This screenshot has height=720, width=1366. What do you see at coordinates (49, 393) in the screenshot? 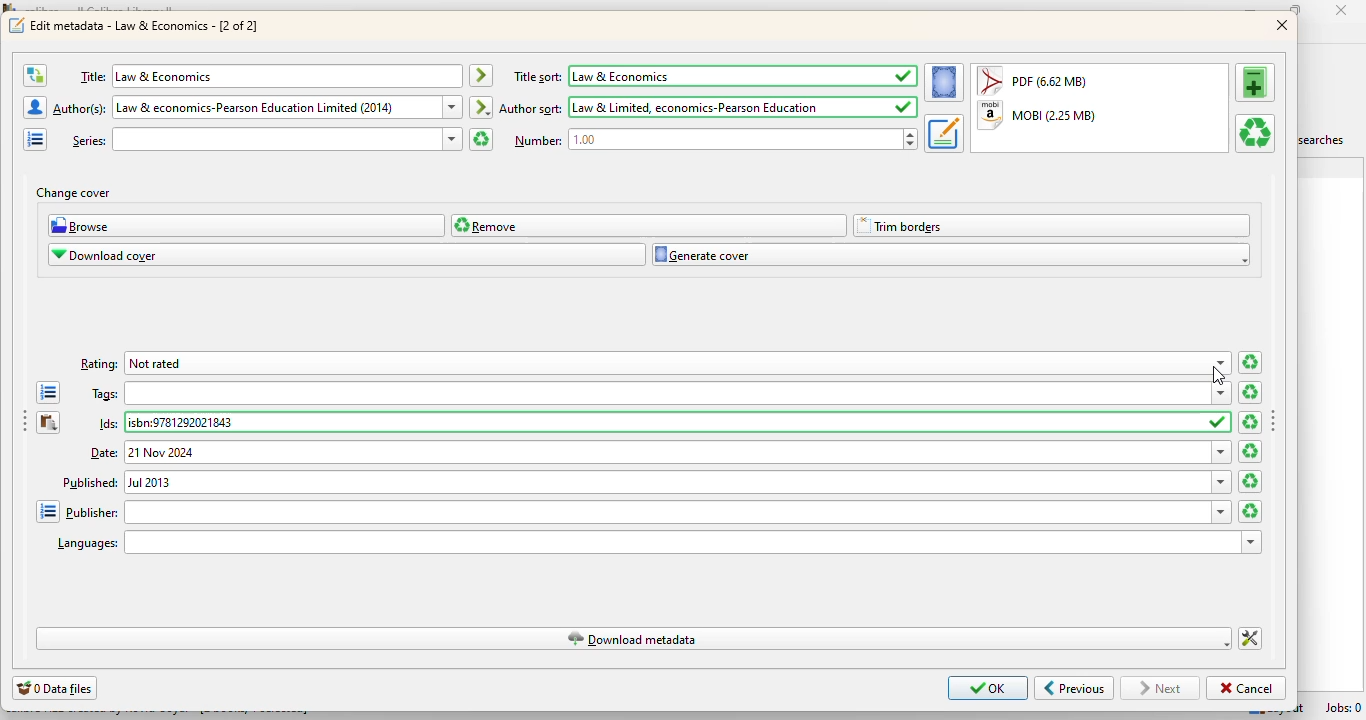
I see `open the tag editor` at bounding box center [49, 393].